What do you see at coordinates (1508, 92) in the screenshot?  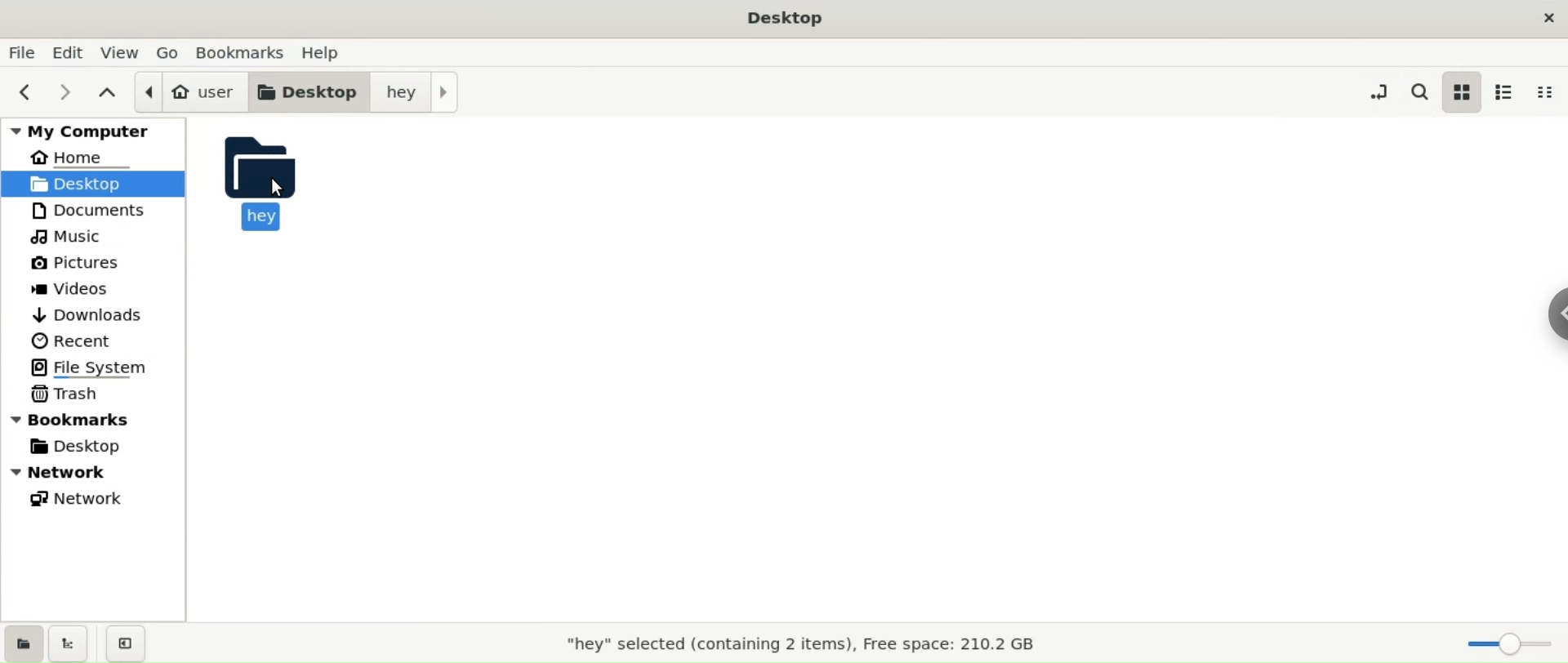 I see `list view` at bounding box center [1508, 92].